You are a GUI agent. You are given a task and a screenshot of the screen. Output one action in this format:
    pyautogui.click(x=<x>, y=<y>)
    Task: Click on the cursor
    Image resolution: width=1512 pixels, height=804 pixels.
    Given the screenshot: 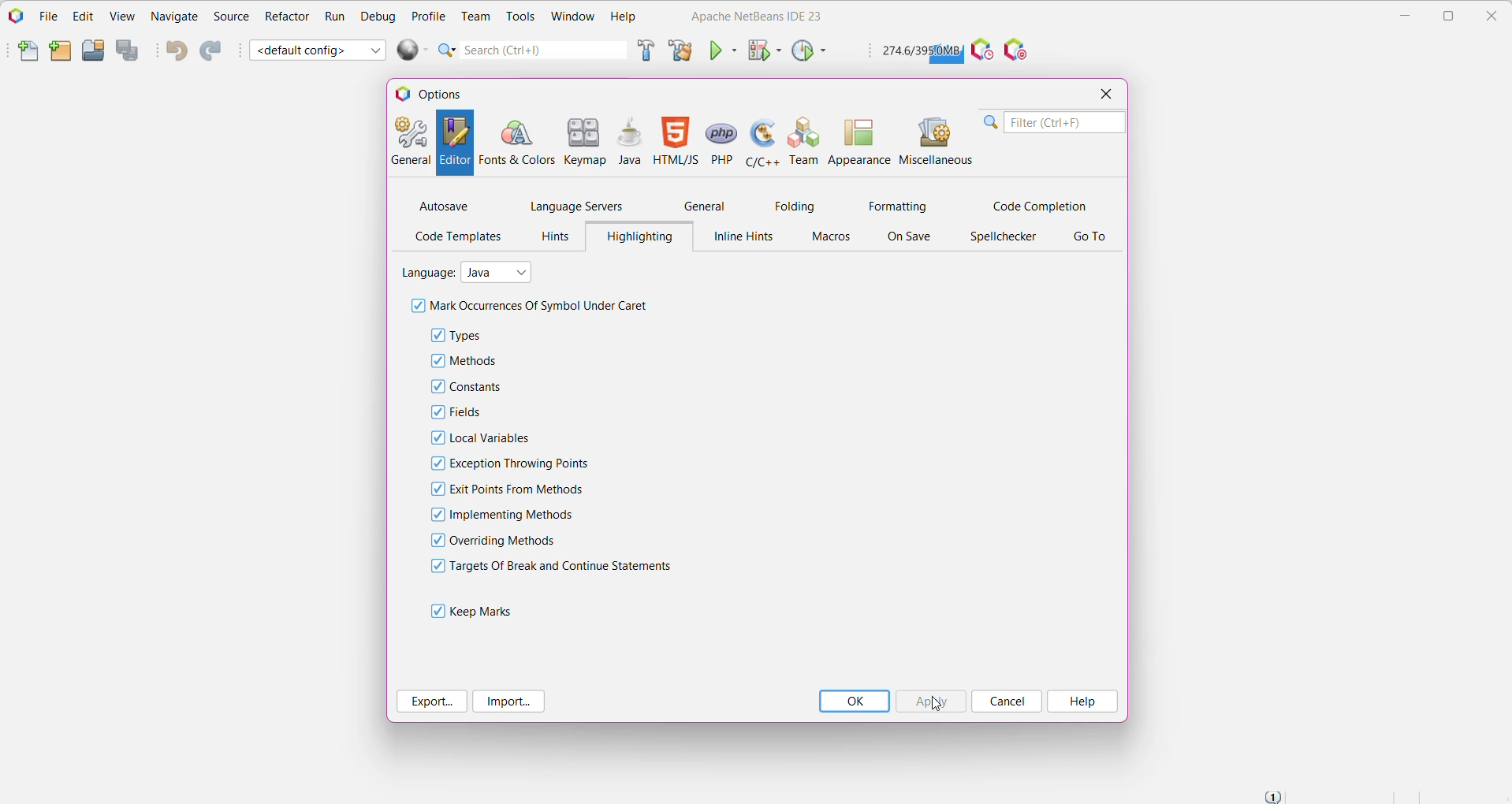 What is the action you would take?
    pyautogui.click(x=936, y=703)
    